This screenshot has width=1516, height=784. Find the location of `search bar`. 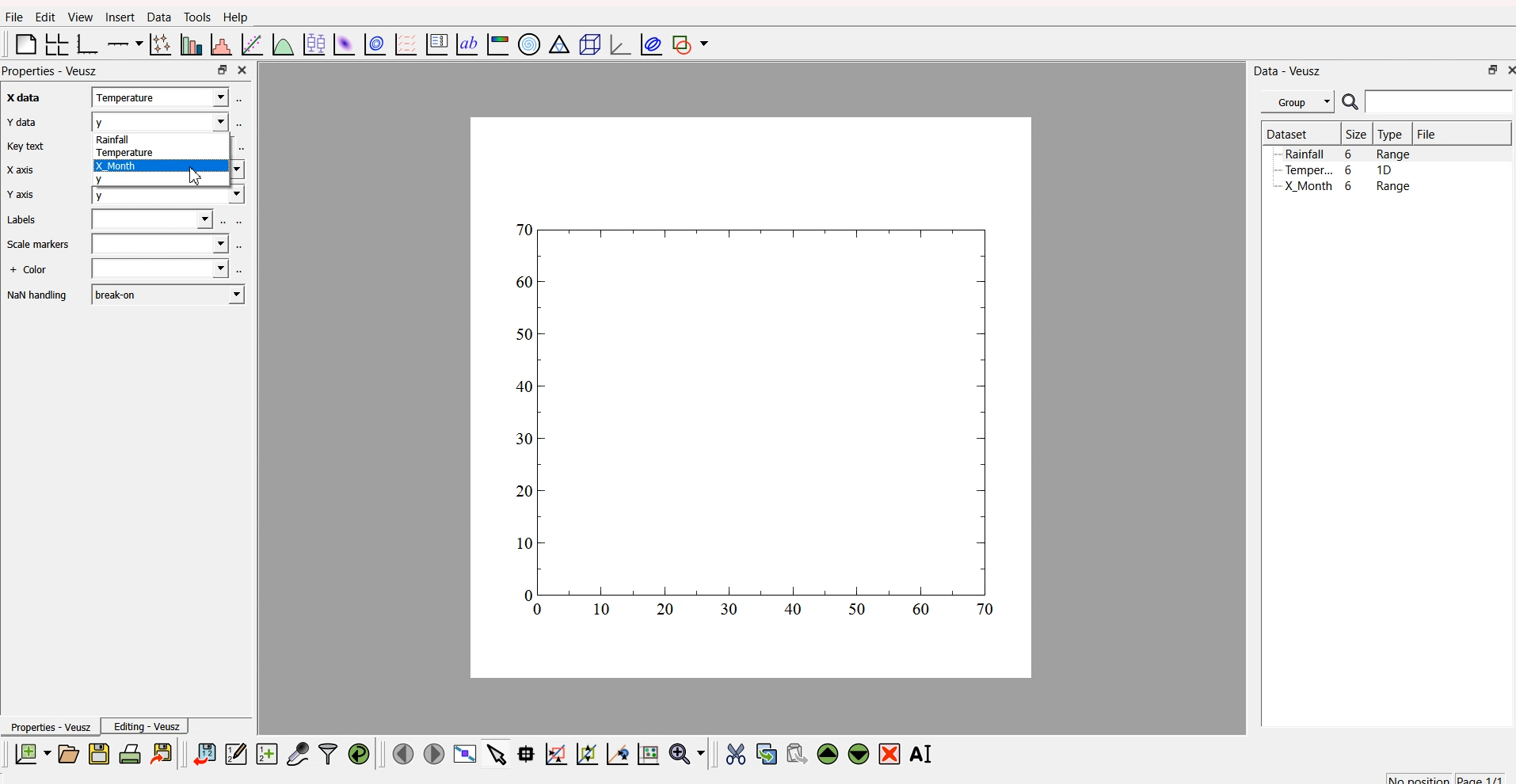

search bar is located at coordinates (1442, 104).